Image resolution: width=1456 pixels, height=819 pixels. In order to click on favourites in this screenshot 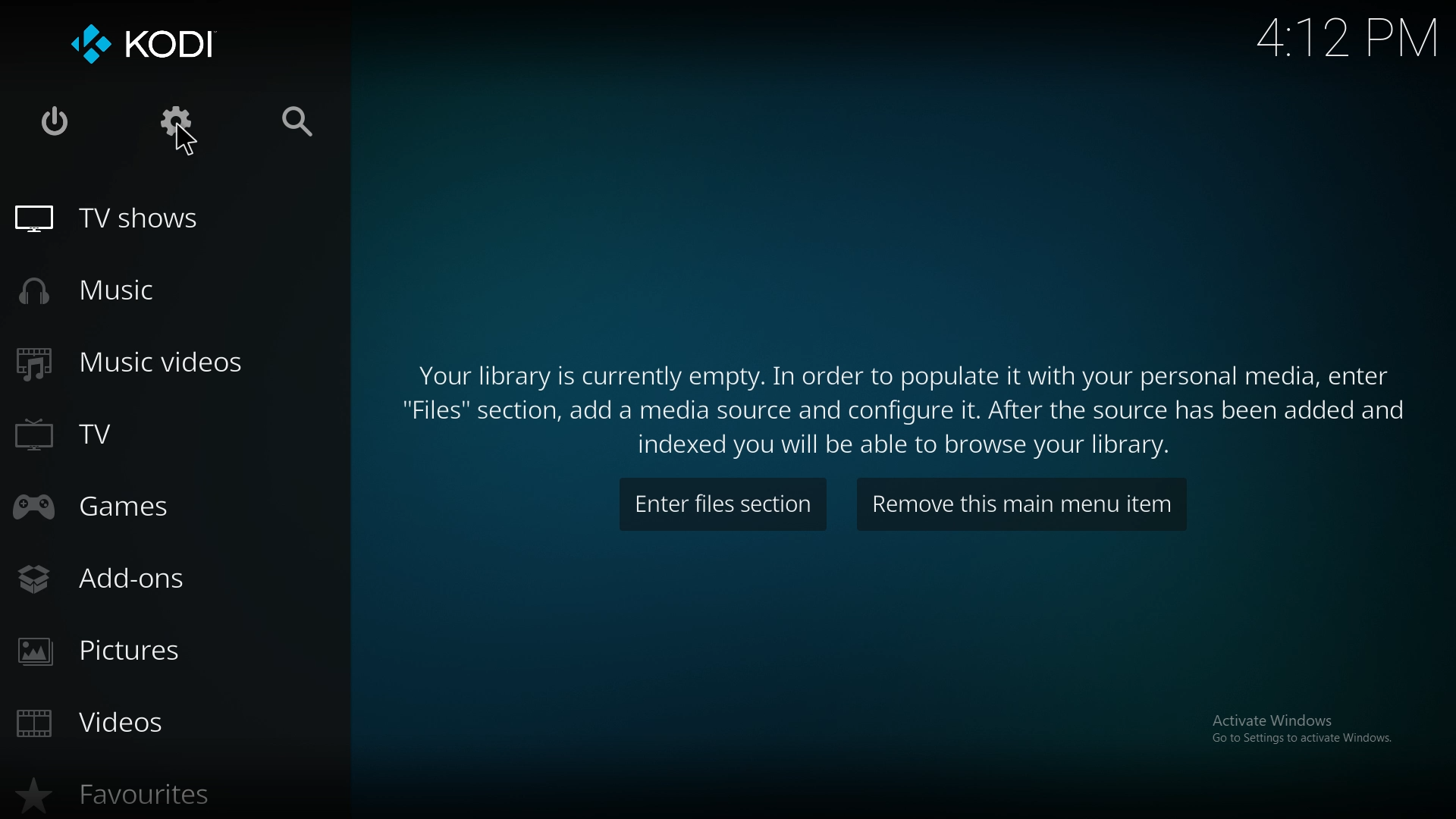, I will do `click(126, 795)`.